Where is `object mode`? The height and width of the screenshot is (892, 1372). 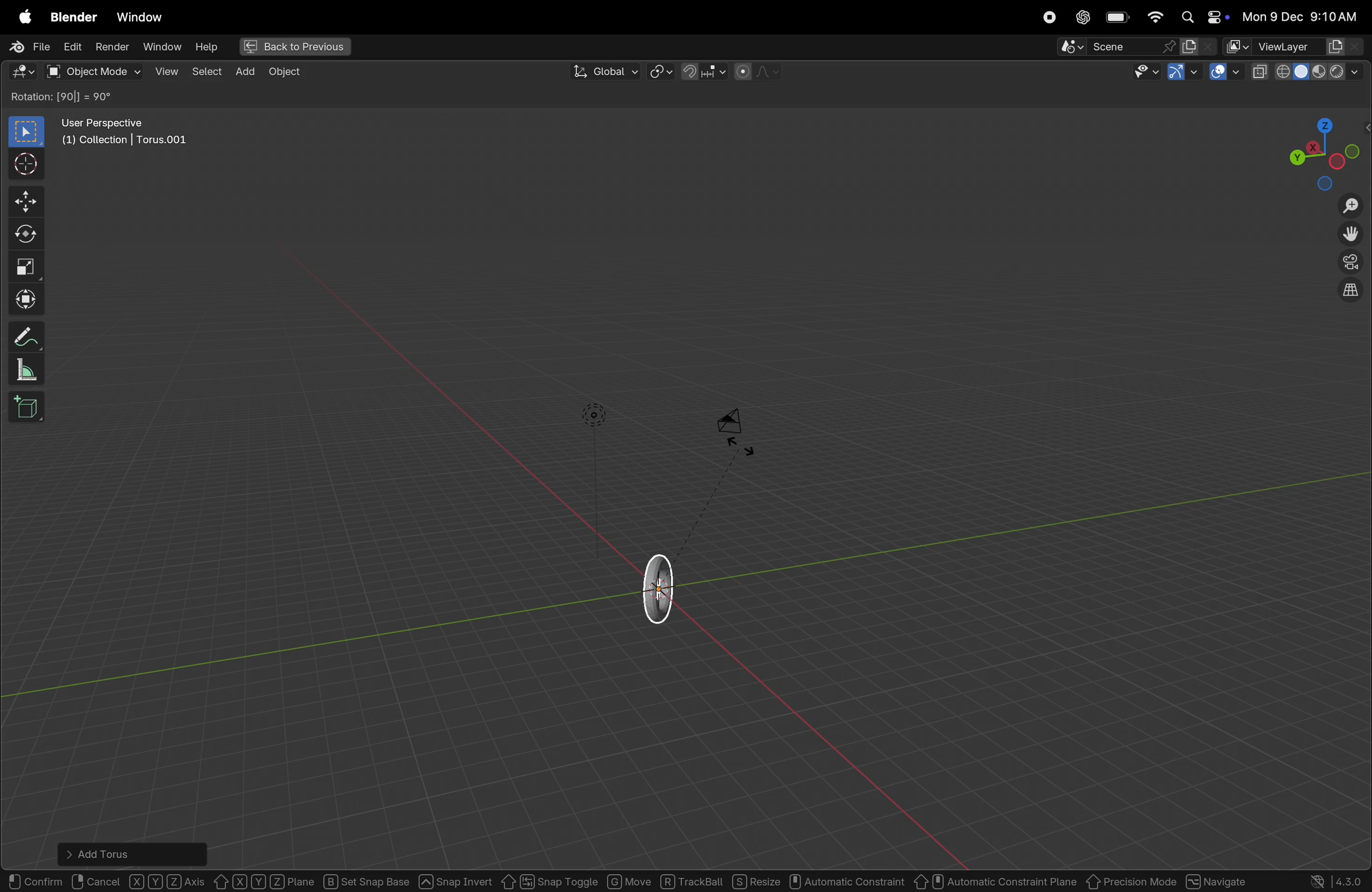 object mode is located at coordinates (93, 71).